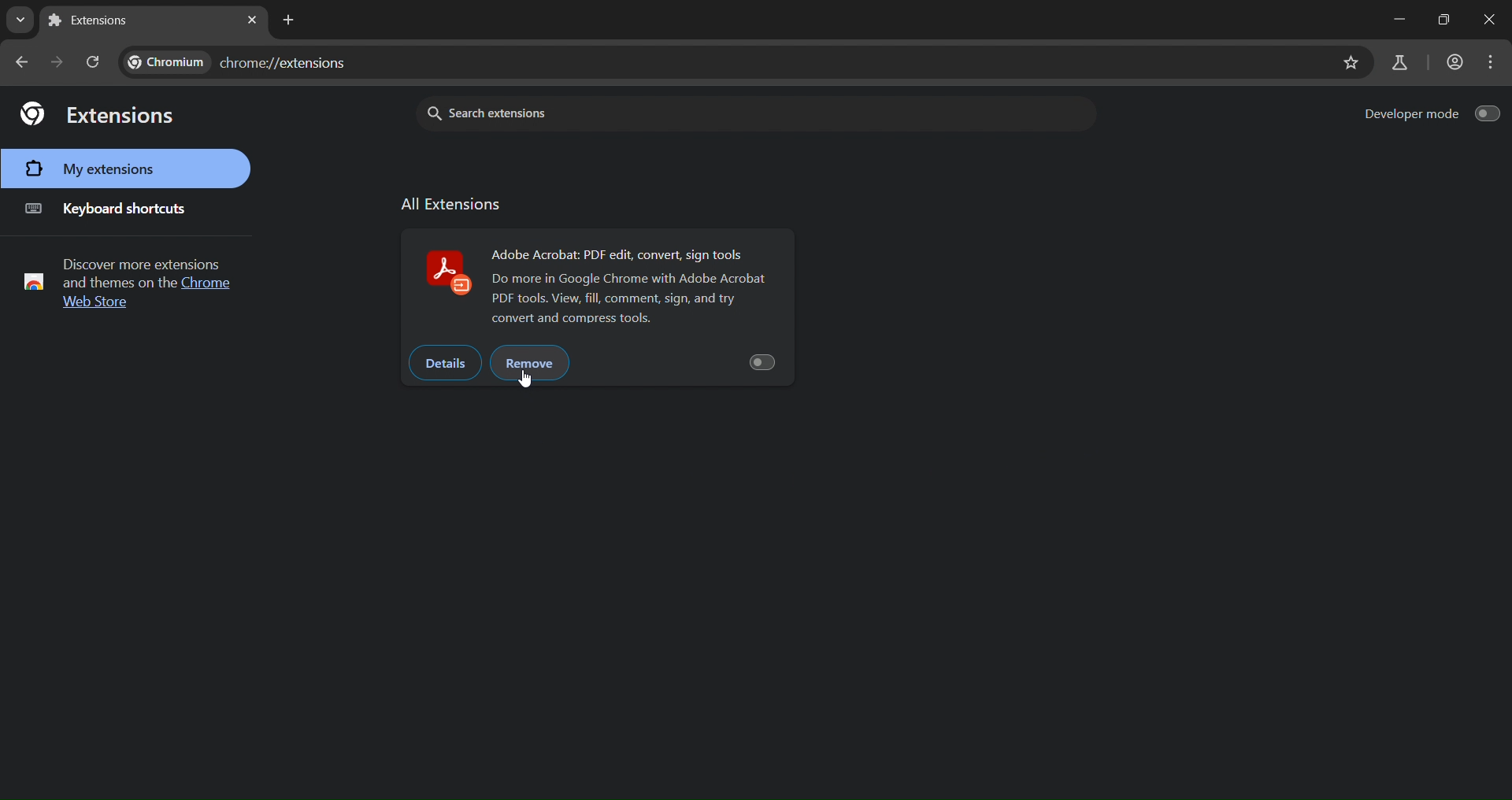 This screenshot has width=1512, height=800. What do you see at coordinates (523, 383) in the screenshot?
I see `Cursor` at bounding box center [523, 383].